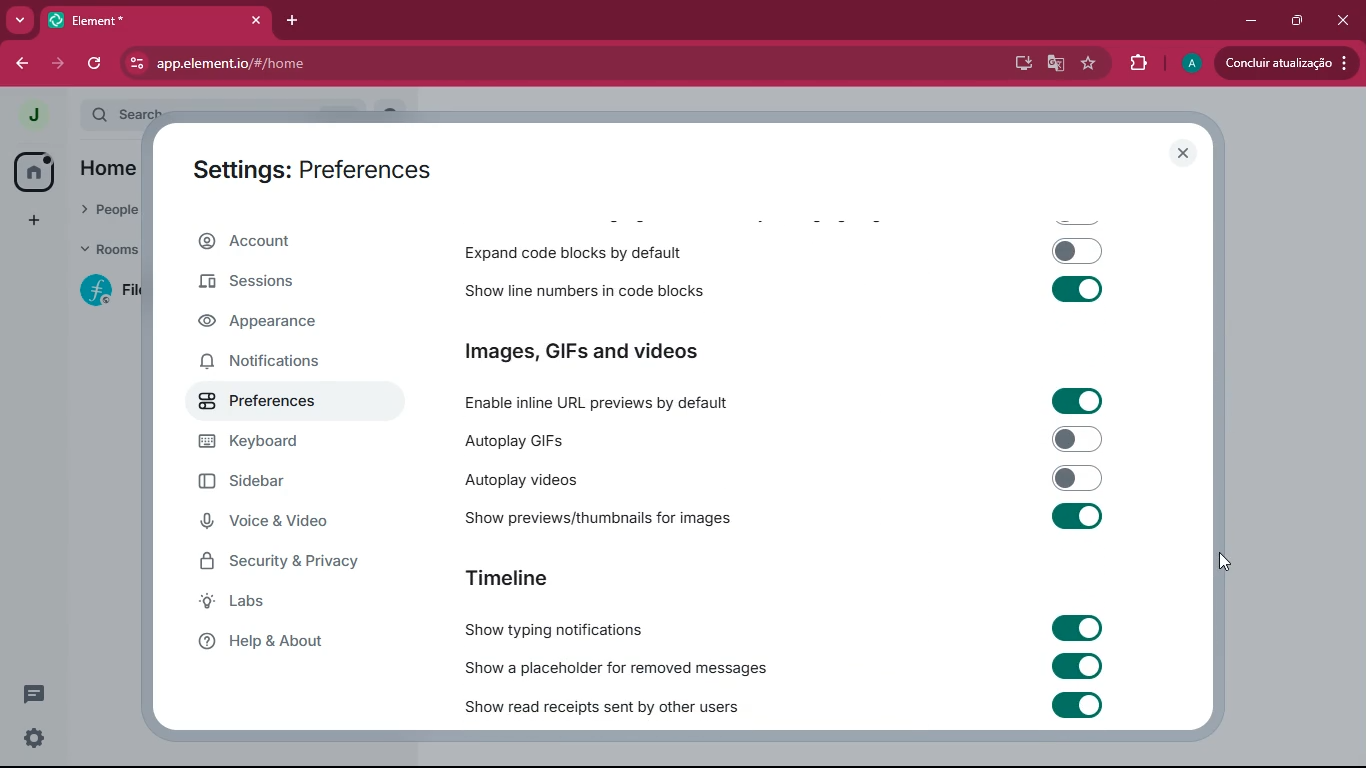  I want to click on app.element.io/#/home, so click(335, 64).